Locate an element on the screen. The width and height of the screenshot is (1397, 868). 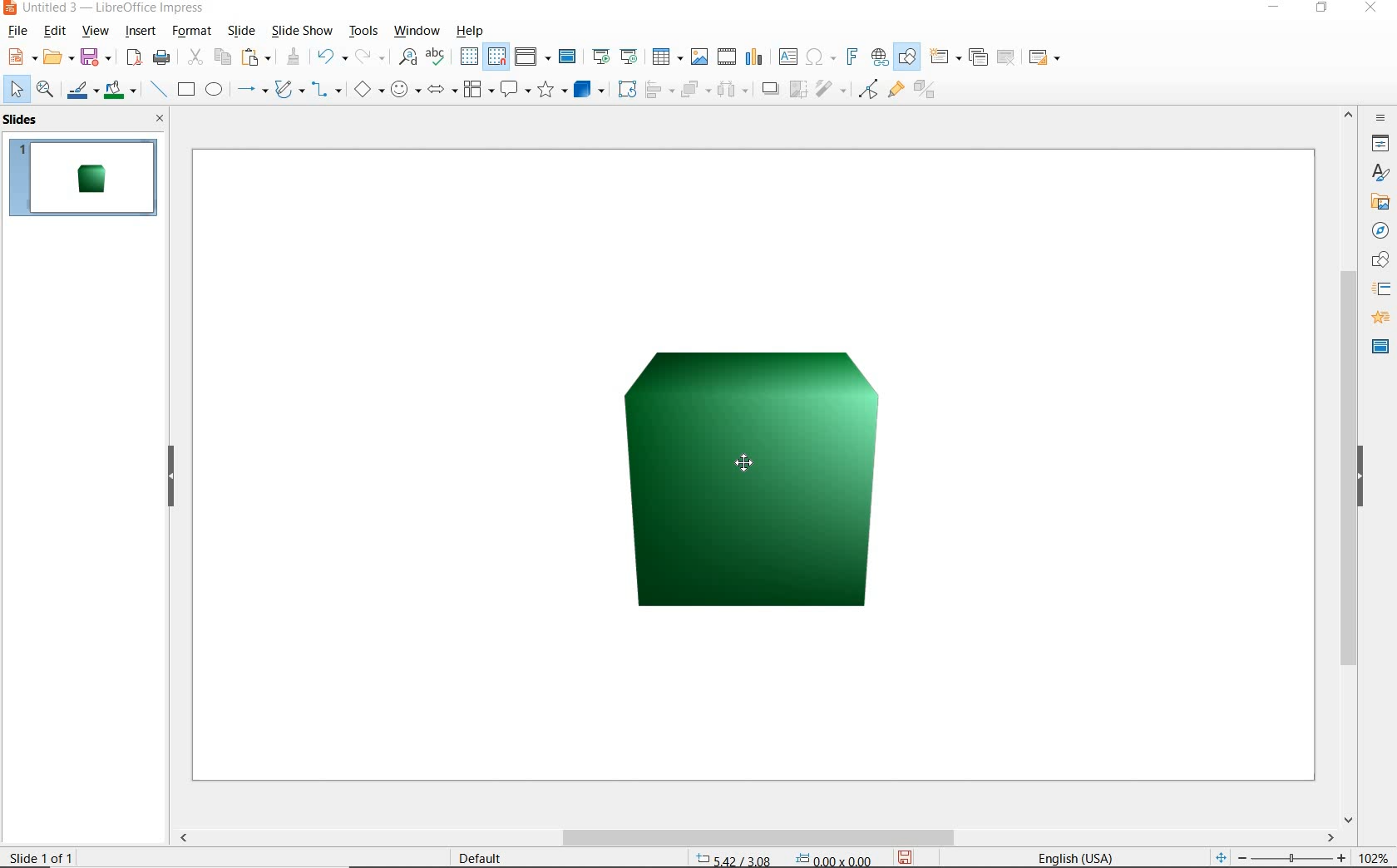
PROPERTIES is located at coordinates (1380, 145).